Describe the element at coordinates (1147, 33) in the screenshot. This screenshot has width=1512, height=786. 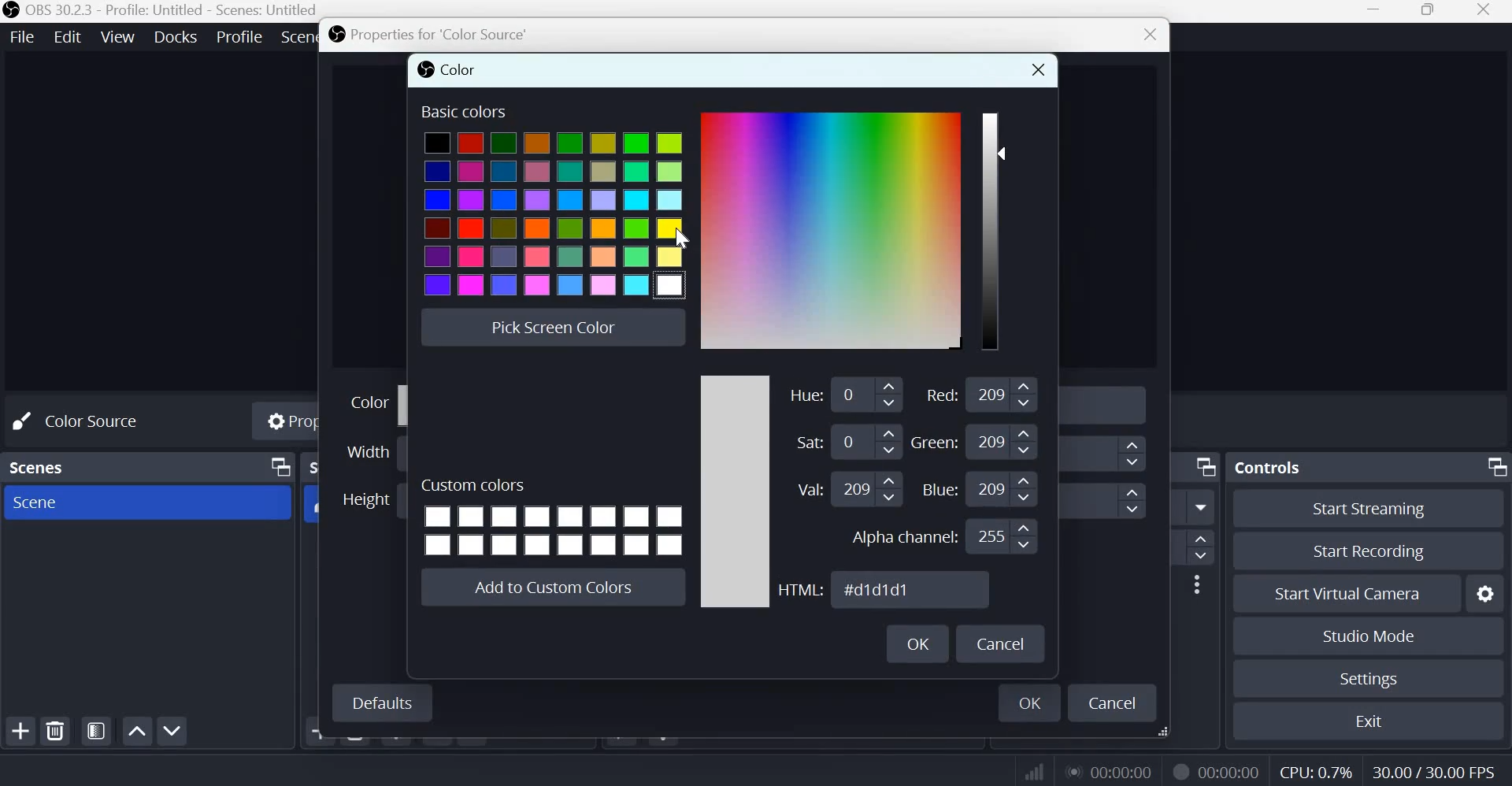
I see `close` at that location.